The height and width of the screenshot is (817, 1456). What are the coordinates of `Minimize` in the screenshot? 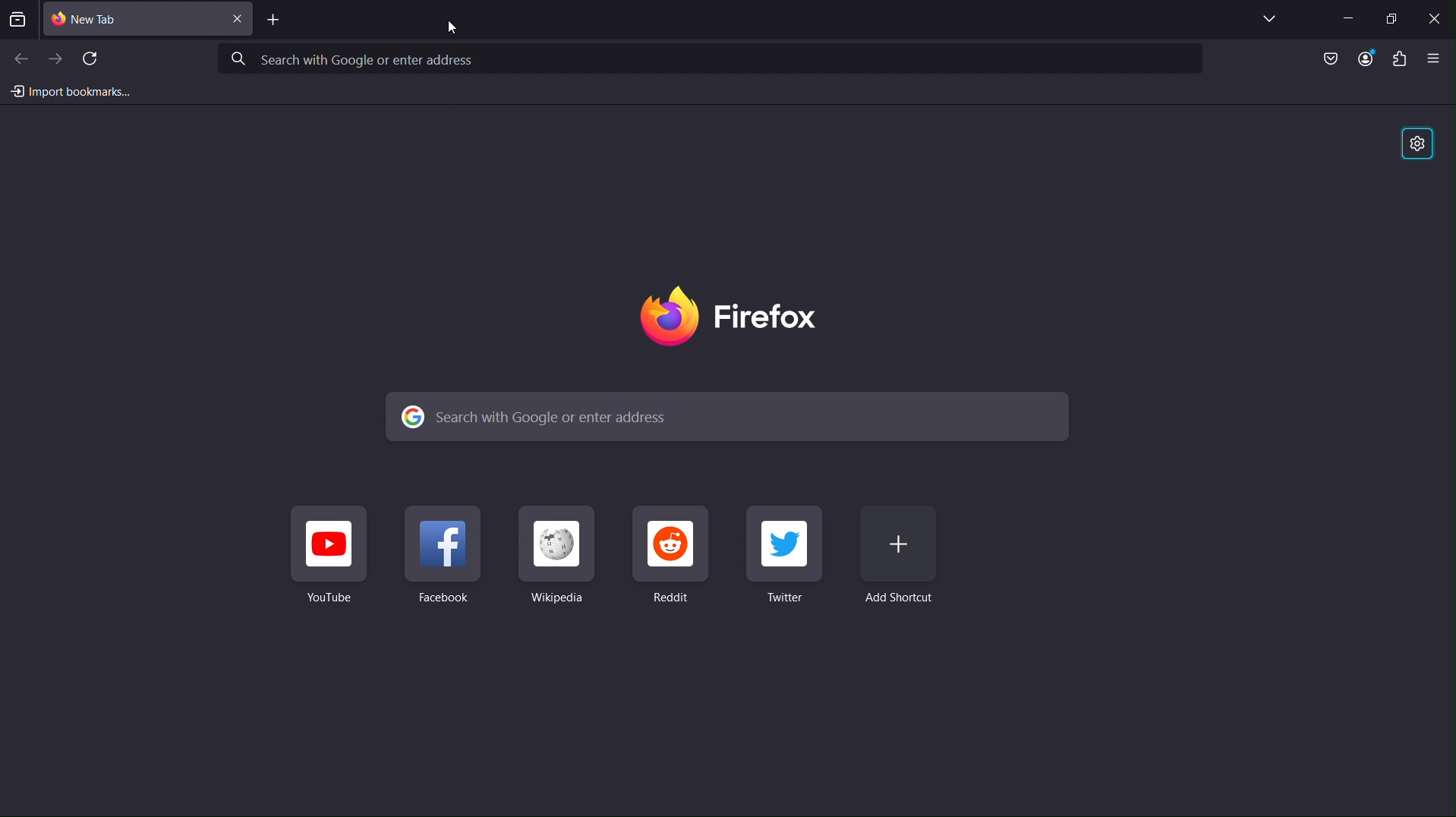 It's located at (1344, 16).